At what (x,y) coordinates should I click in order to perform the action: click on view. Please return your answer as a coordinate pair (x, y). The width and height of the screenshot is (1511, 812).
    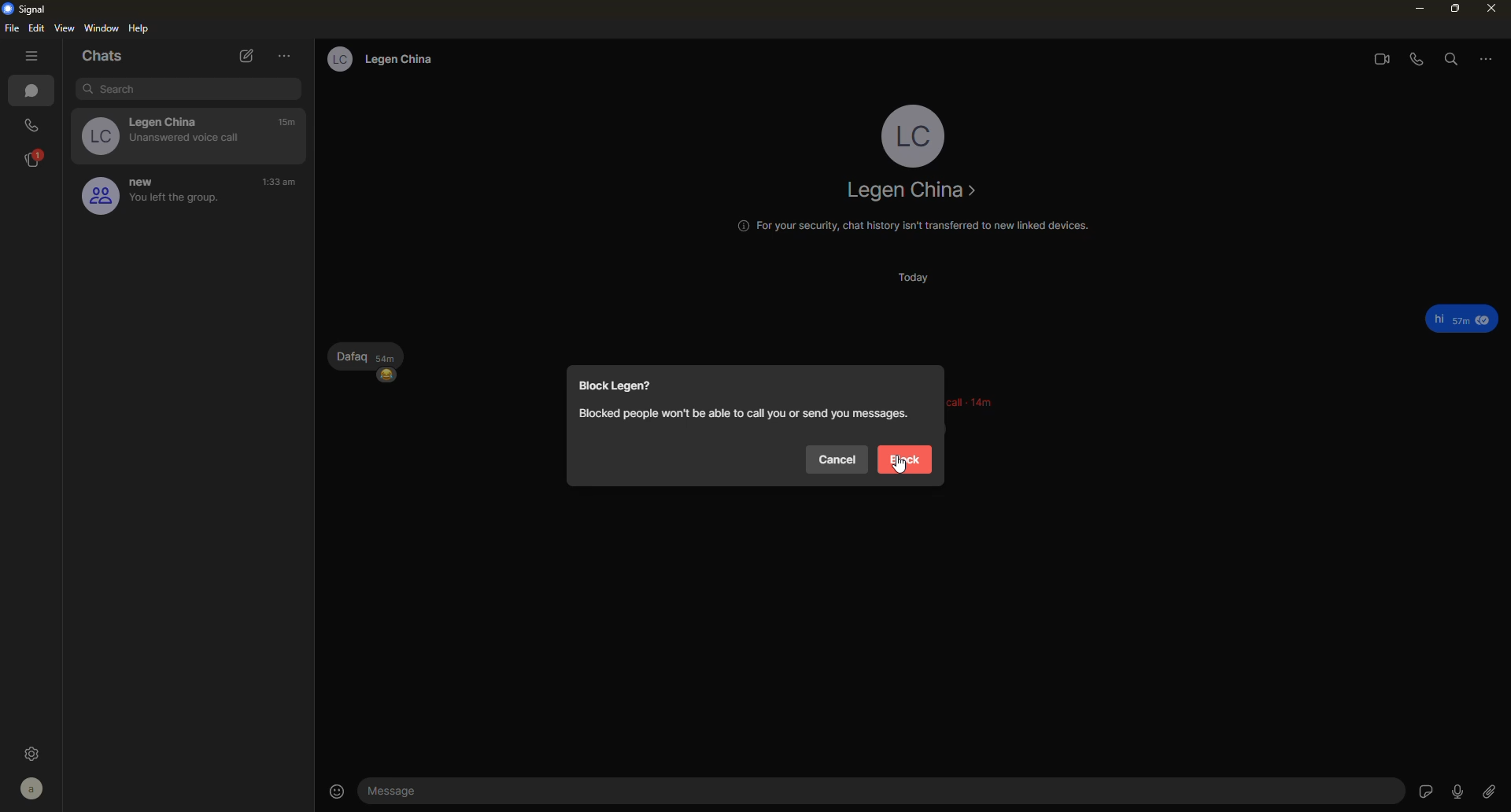
    Looking at the image, I should click on (66, 28).